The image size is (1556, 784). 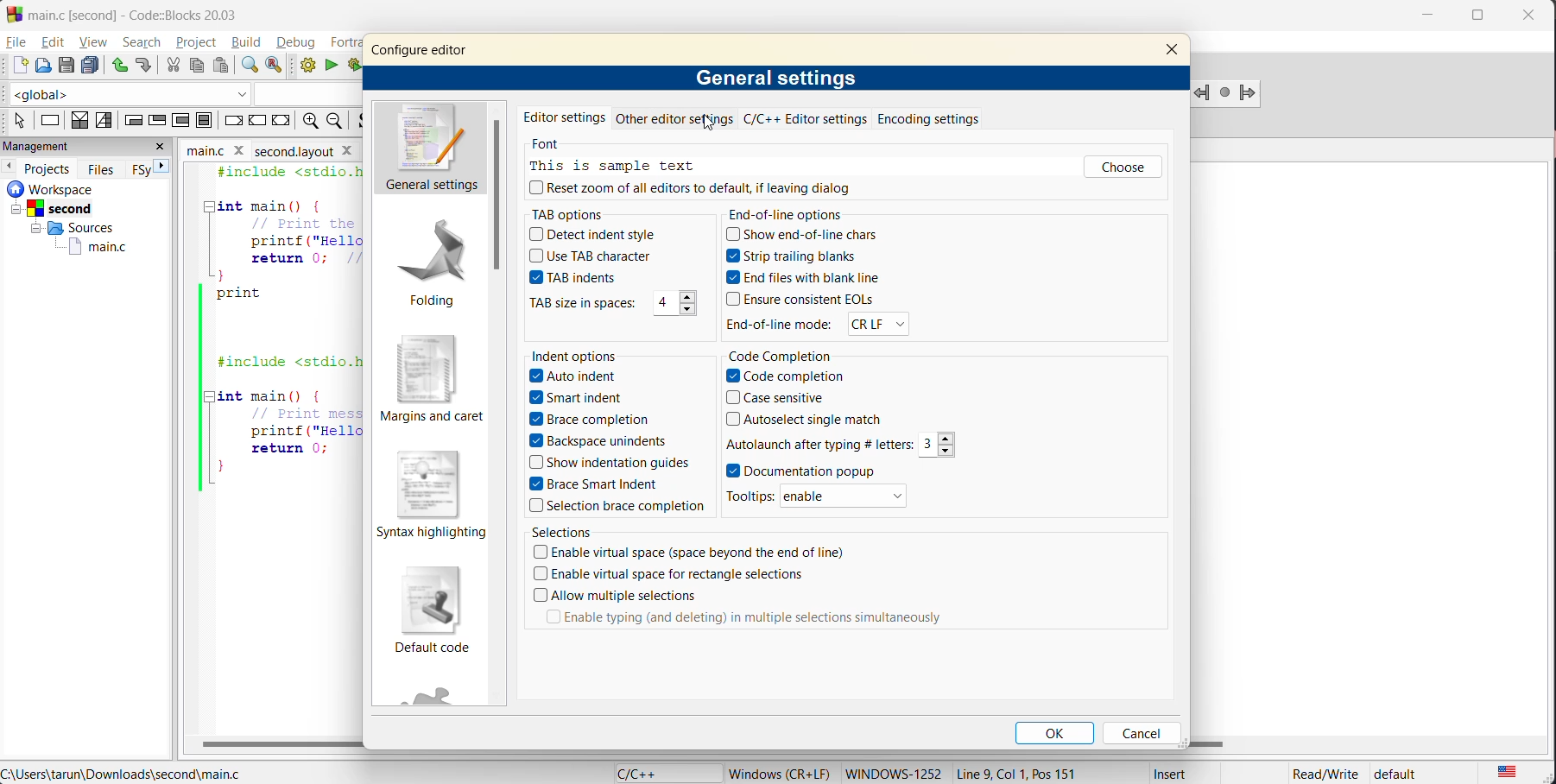 What do you see at coordinates (795, 256) in the screenshot?
I see `Strip trailing blanks` at bounding box center [795, 256].